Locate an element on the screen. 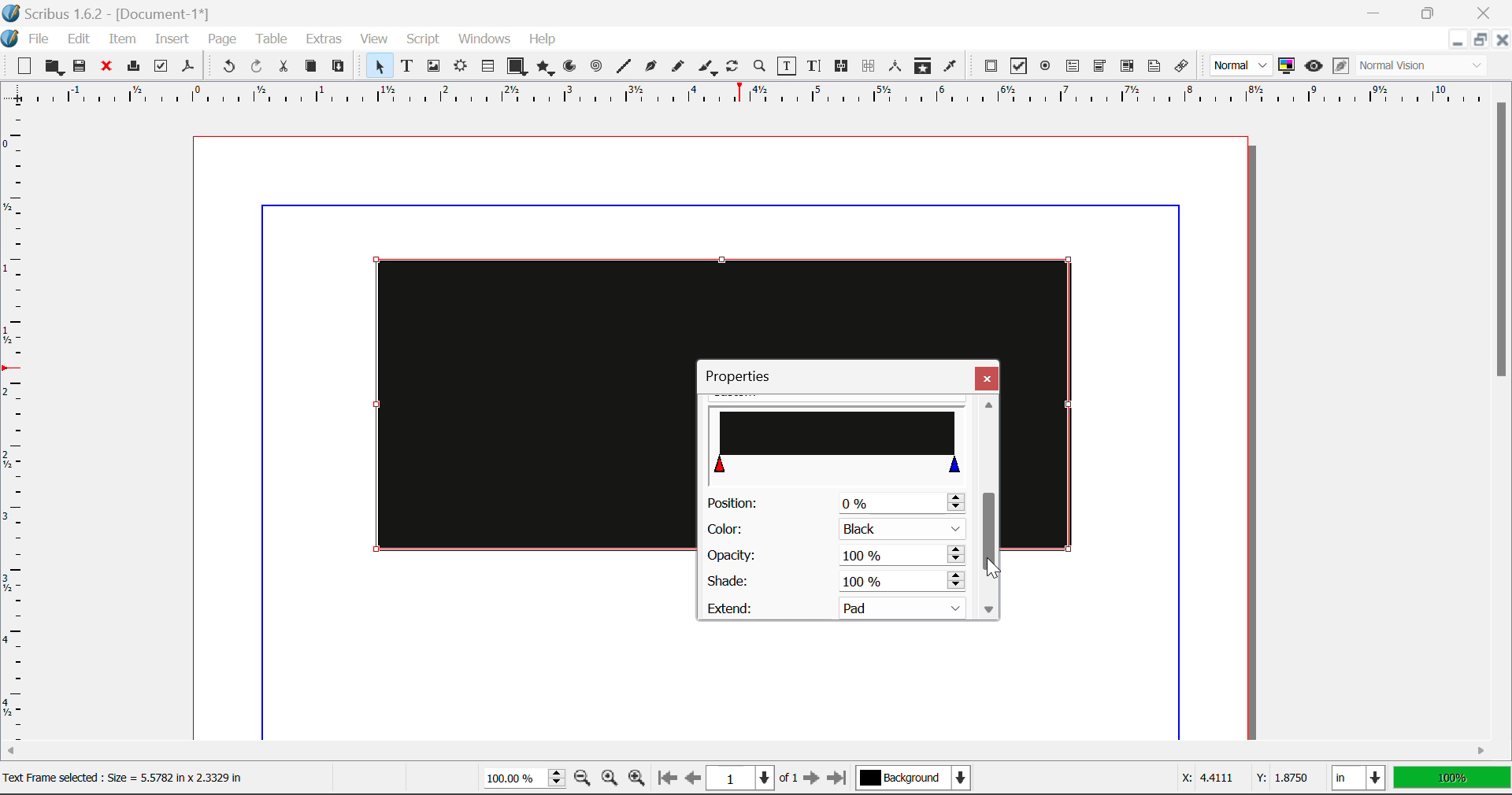 This screenshot has width=1512, height=795. Discard is located at coordinates (106, 68).